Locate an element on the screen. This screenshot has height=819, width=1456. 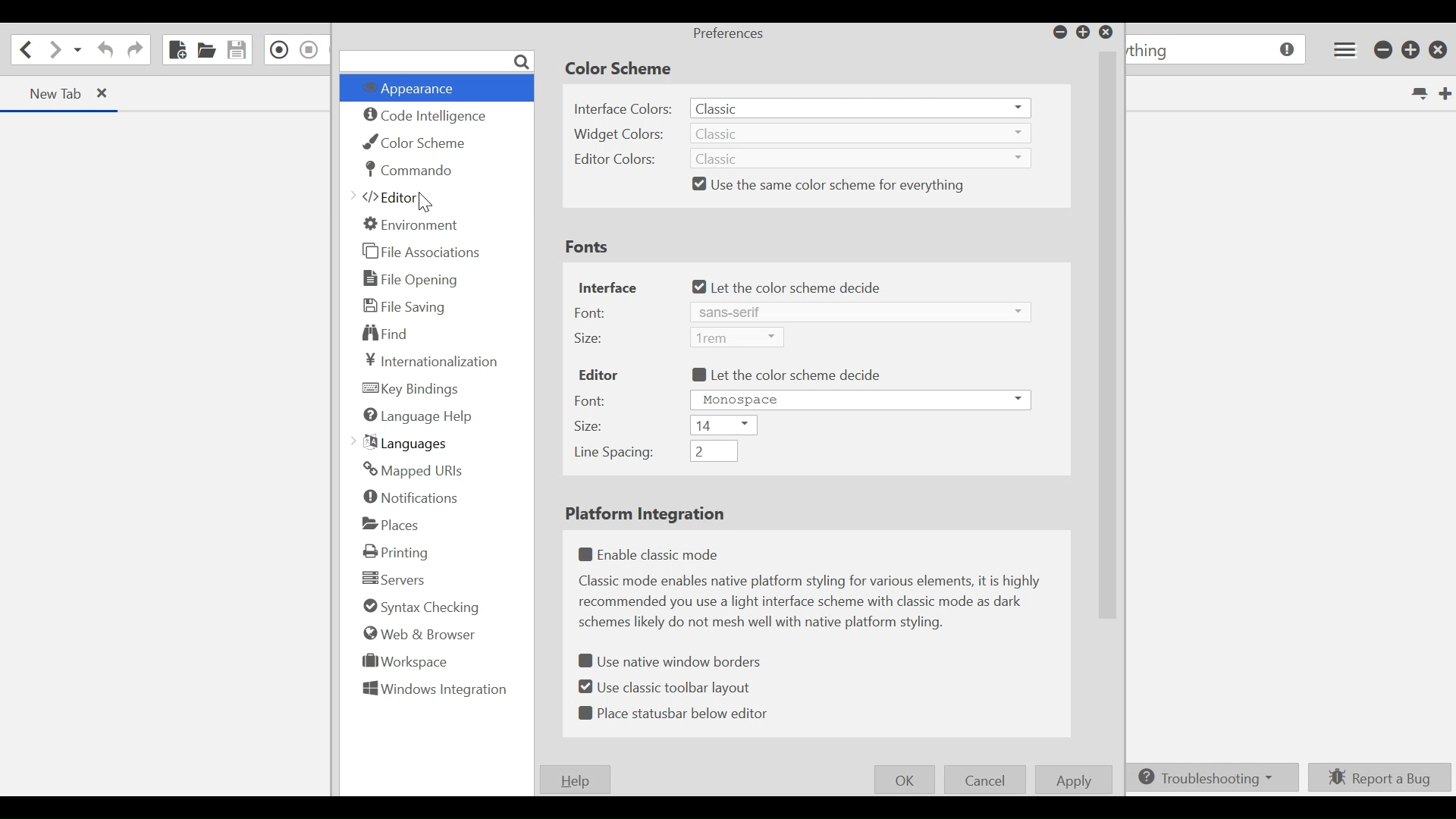
Workspace is located at coordinates (406, 661).